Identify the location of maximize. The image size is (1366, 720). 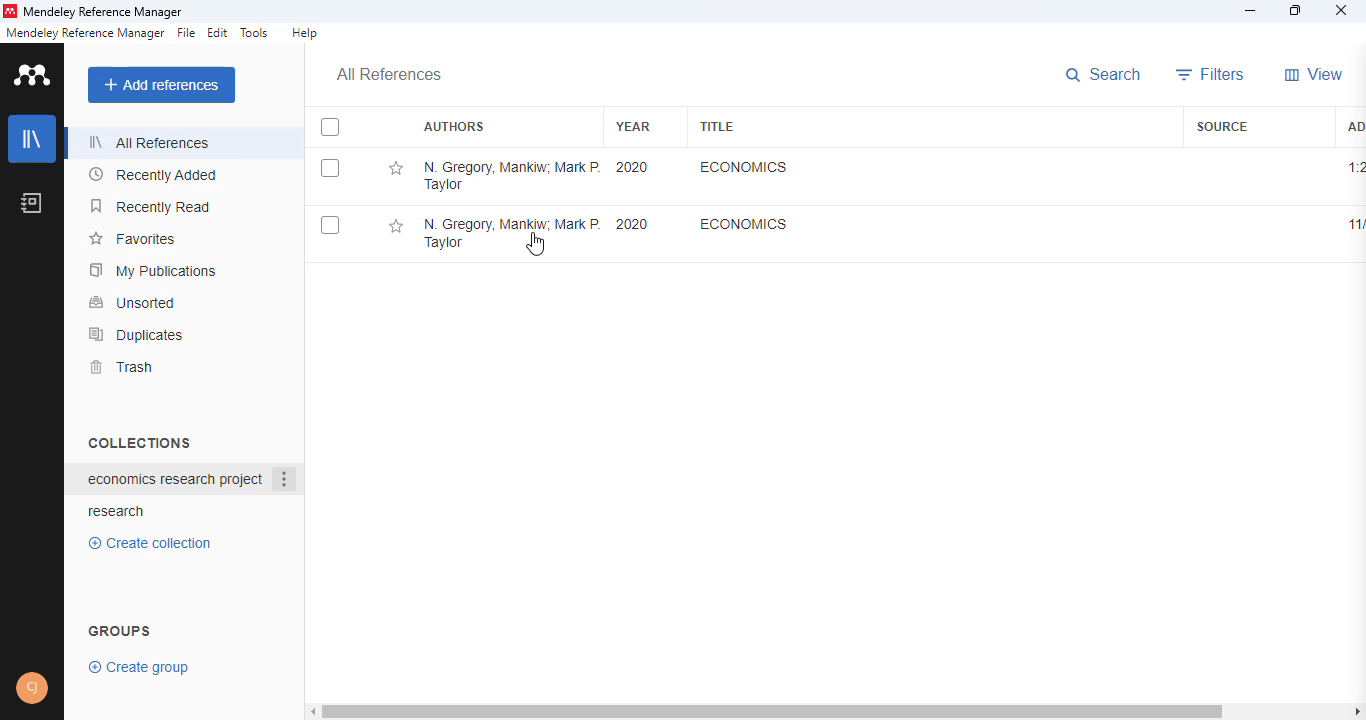
(1298, 11).